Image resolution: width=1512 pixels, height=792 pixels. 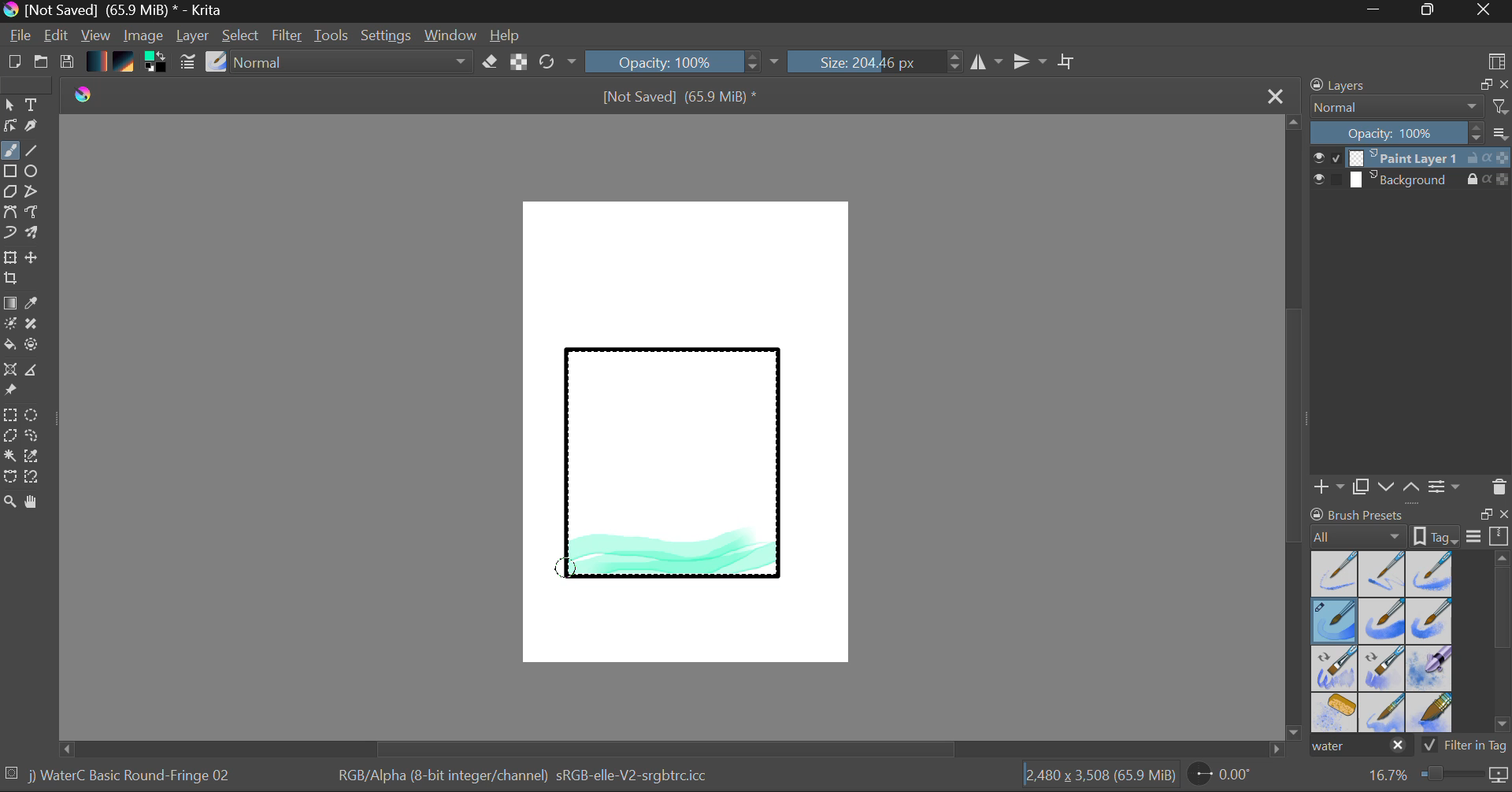 I want to click on Background Layer, so click(x=1411, y=180).